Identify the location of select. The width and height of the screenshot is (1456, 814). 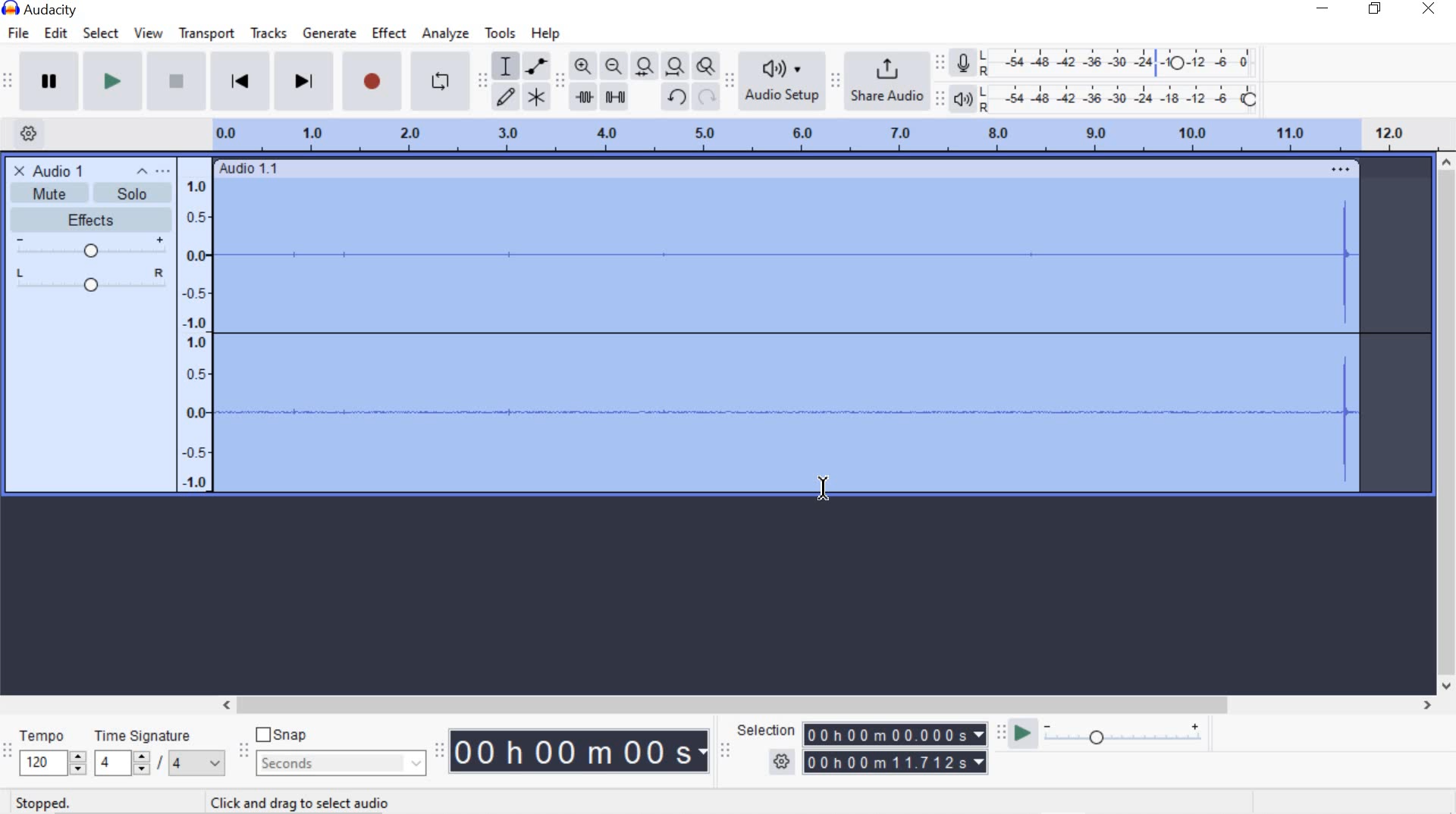
(101, 33).